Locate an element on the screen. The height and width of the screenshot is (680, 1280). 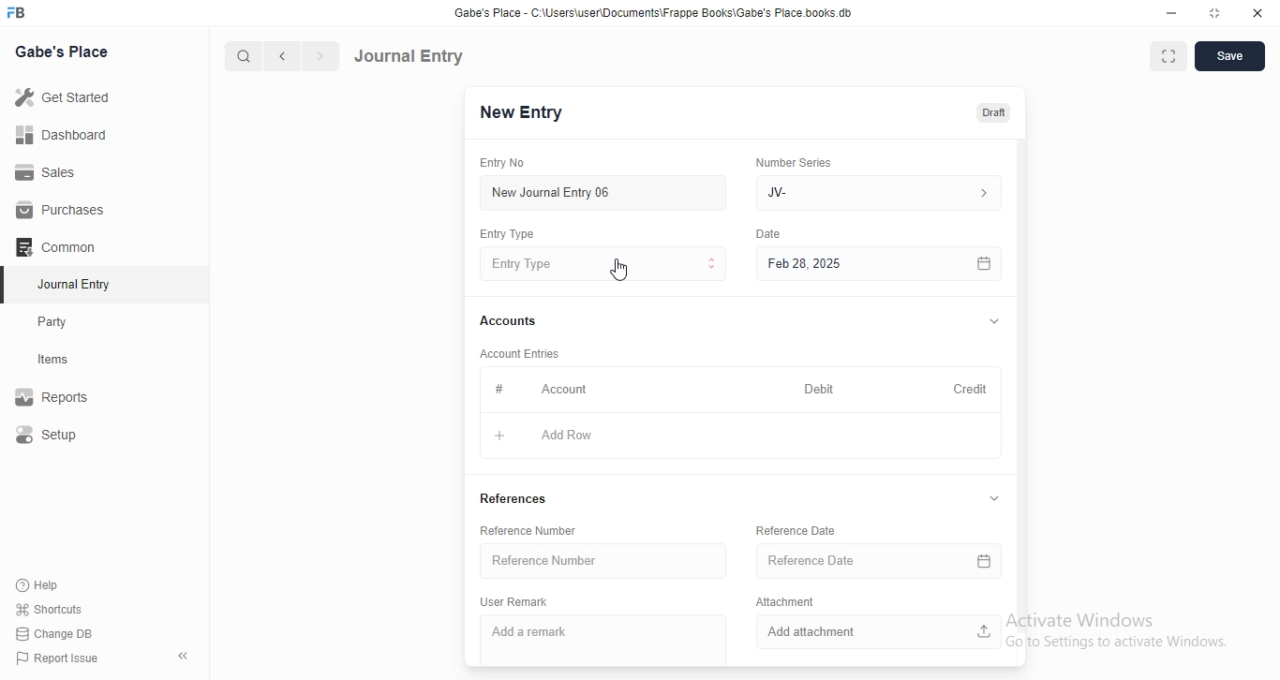
close is located at coordinates (1258, 14).